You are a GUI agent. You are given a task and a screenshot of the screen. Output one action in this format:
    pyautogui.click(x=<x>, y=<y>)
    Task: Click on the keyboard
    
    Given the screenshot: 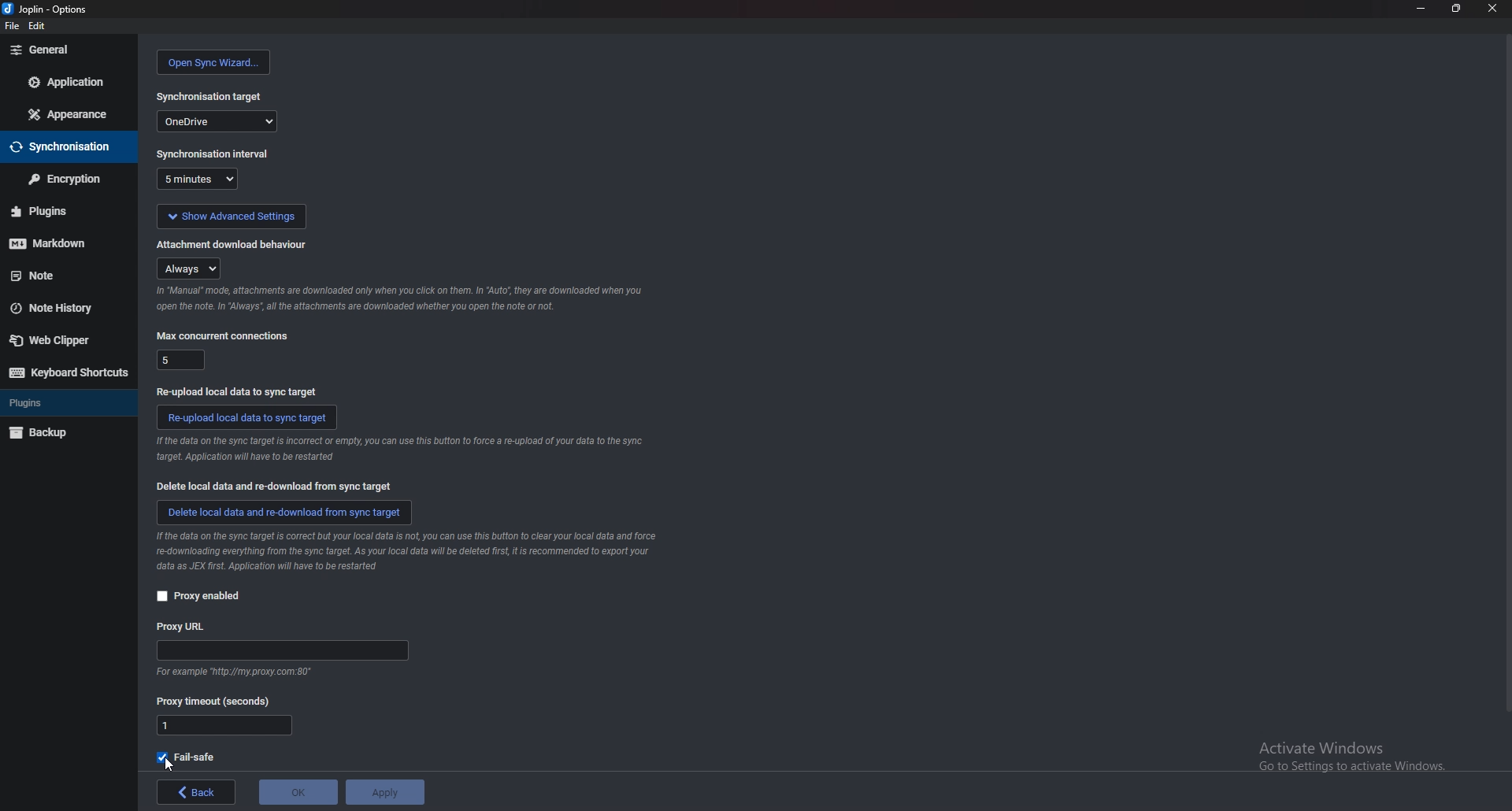 What is the action you would take?
    pyautogui.click(x=68, y=371)
    